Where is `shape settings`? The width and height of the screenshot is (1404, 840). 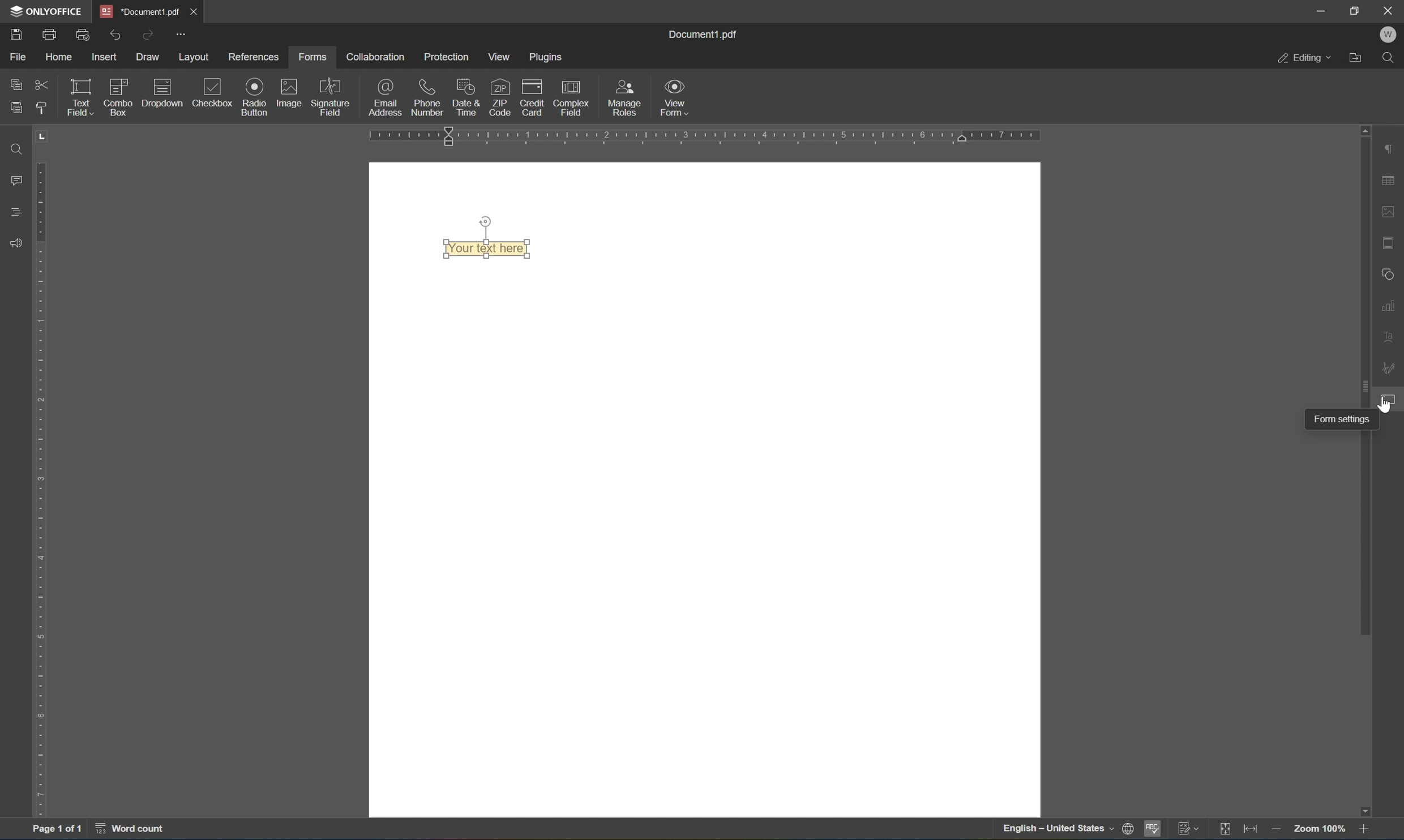
shape settings is located at coordinates (1386, 273).